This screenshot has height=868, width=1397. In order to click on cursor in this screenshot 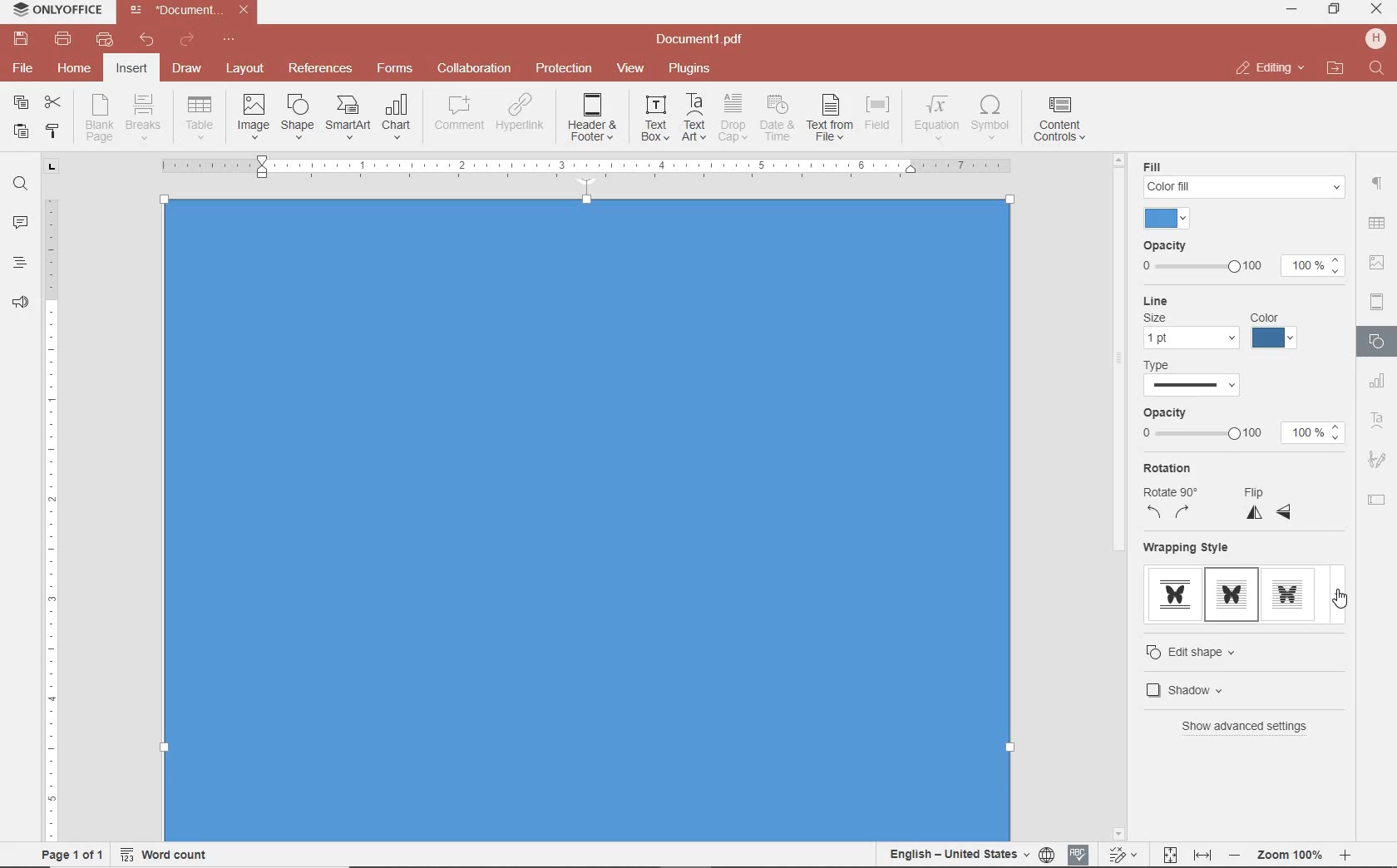, I will do `click(1340, 601)`.